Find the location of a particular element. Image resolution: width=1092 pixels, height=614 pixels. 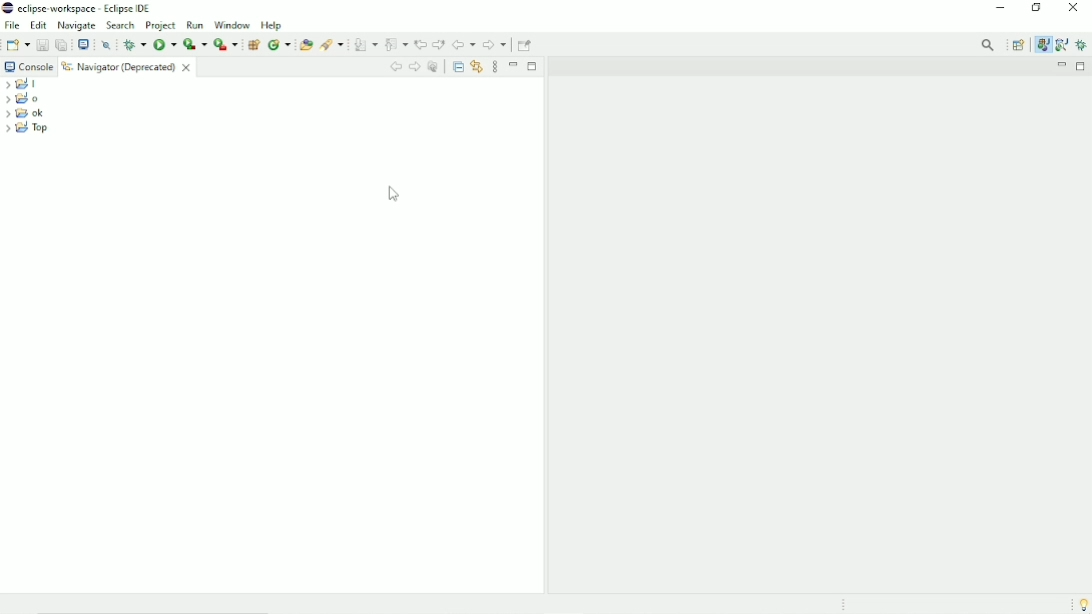

Navigate is located at coordinates (78, 25).